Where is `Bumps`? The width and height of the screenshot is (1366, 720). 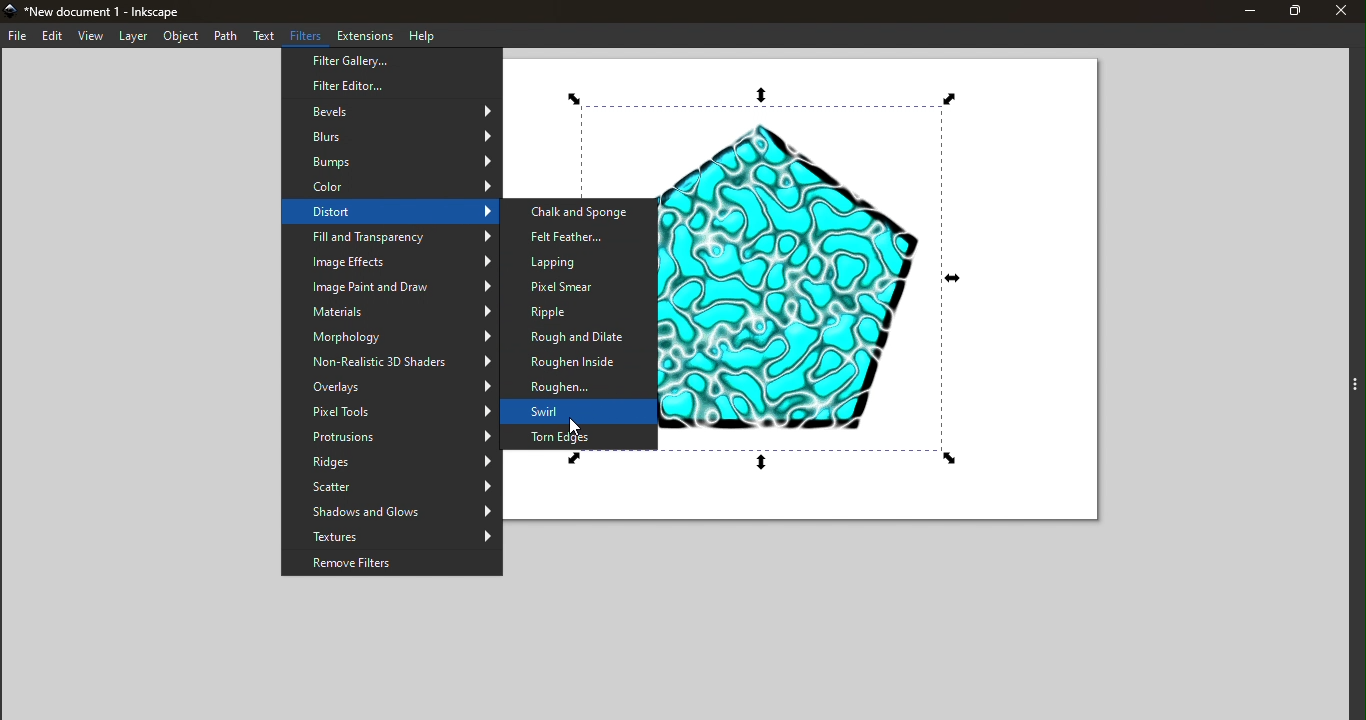 Bumps is located at coordinates (390, 161).